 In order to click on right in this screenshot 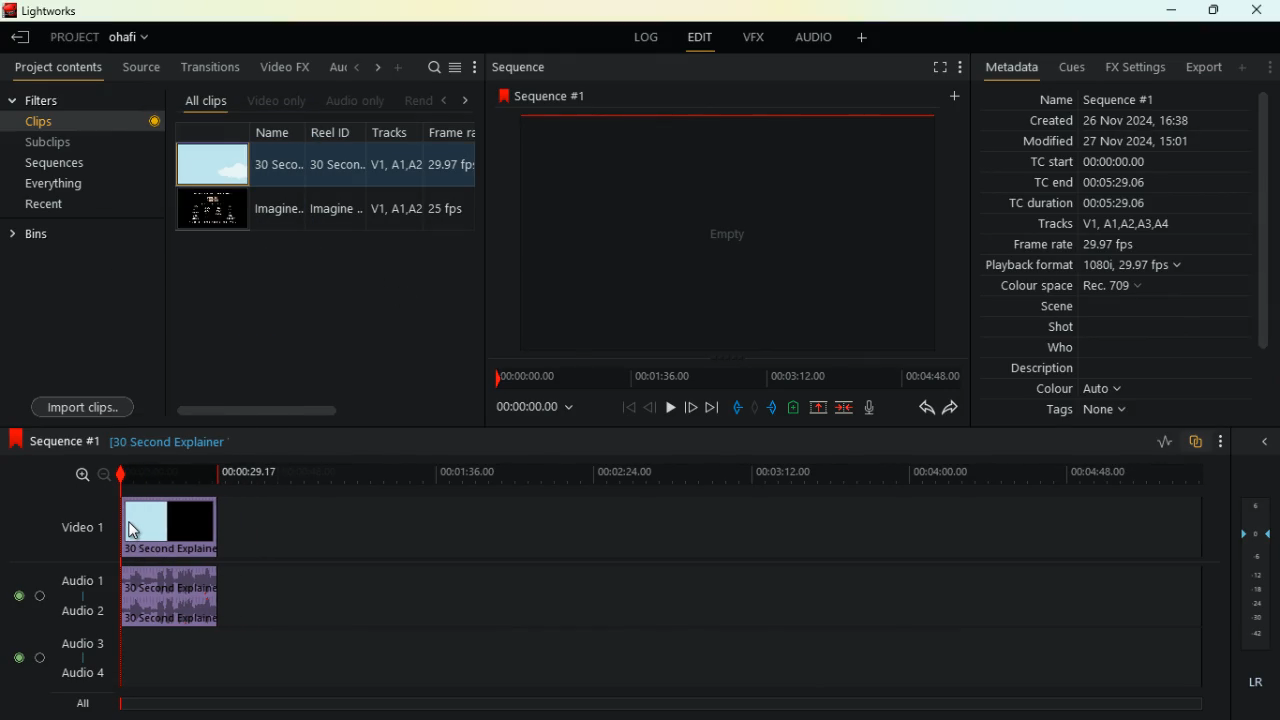, I will do `click(377, 68)`.